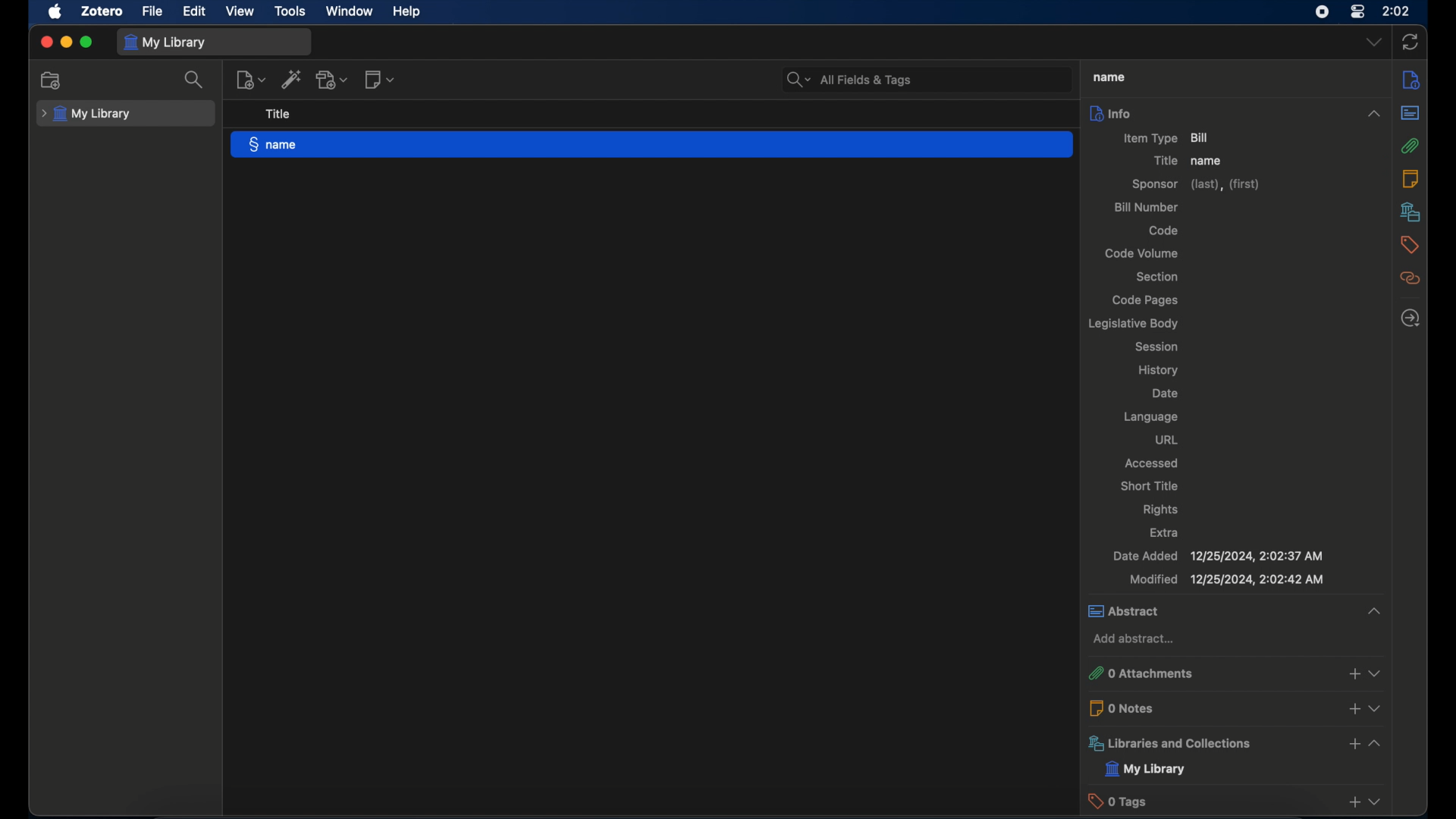 The height and width of the screenshot is (819, 1456). I want to click on modified, so click(1228, 579).